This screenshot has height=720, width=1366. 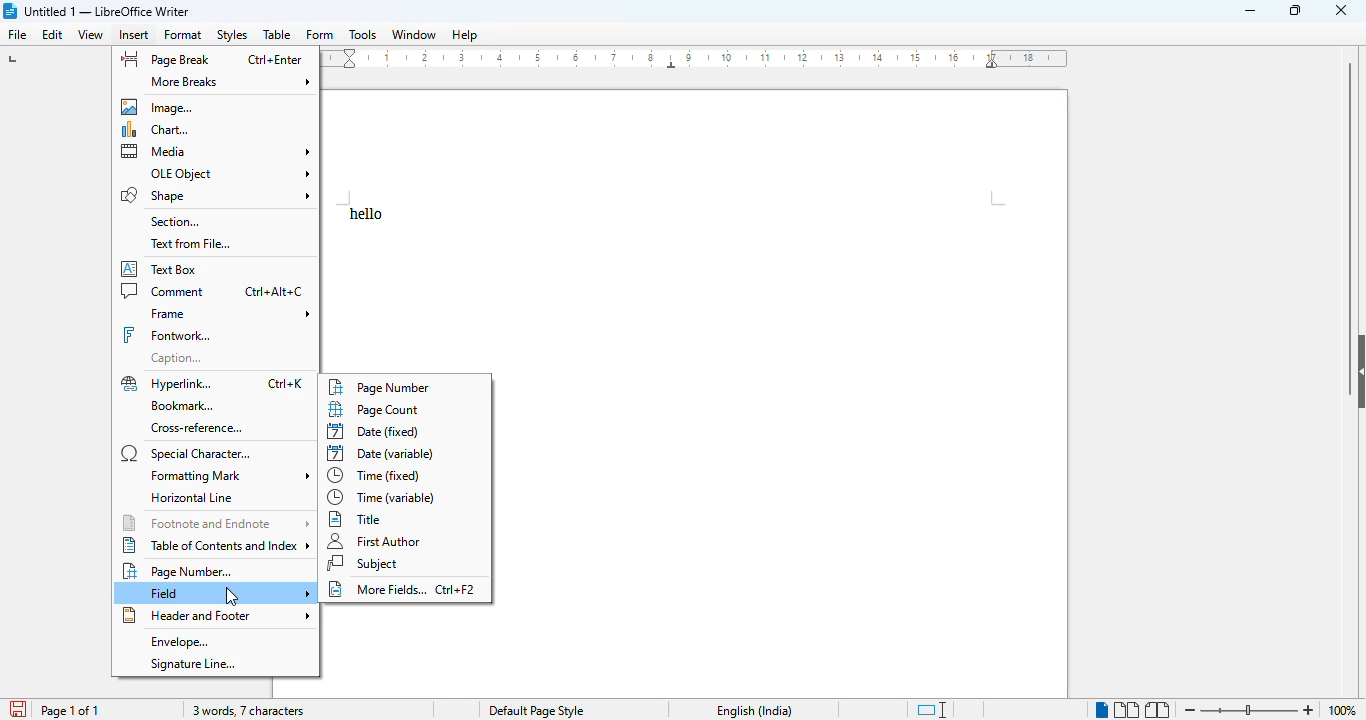 I want to click on 3 words, 7 characters, so click(x=252, y=711).